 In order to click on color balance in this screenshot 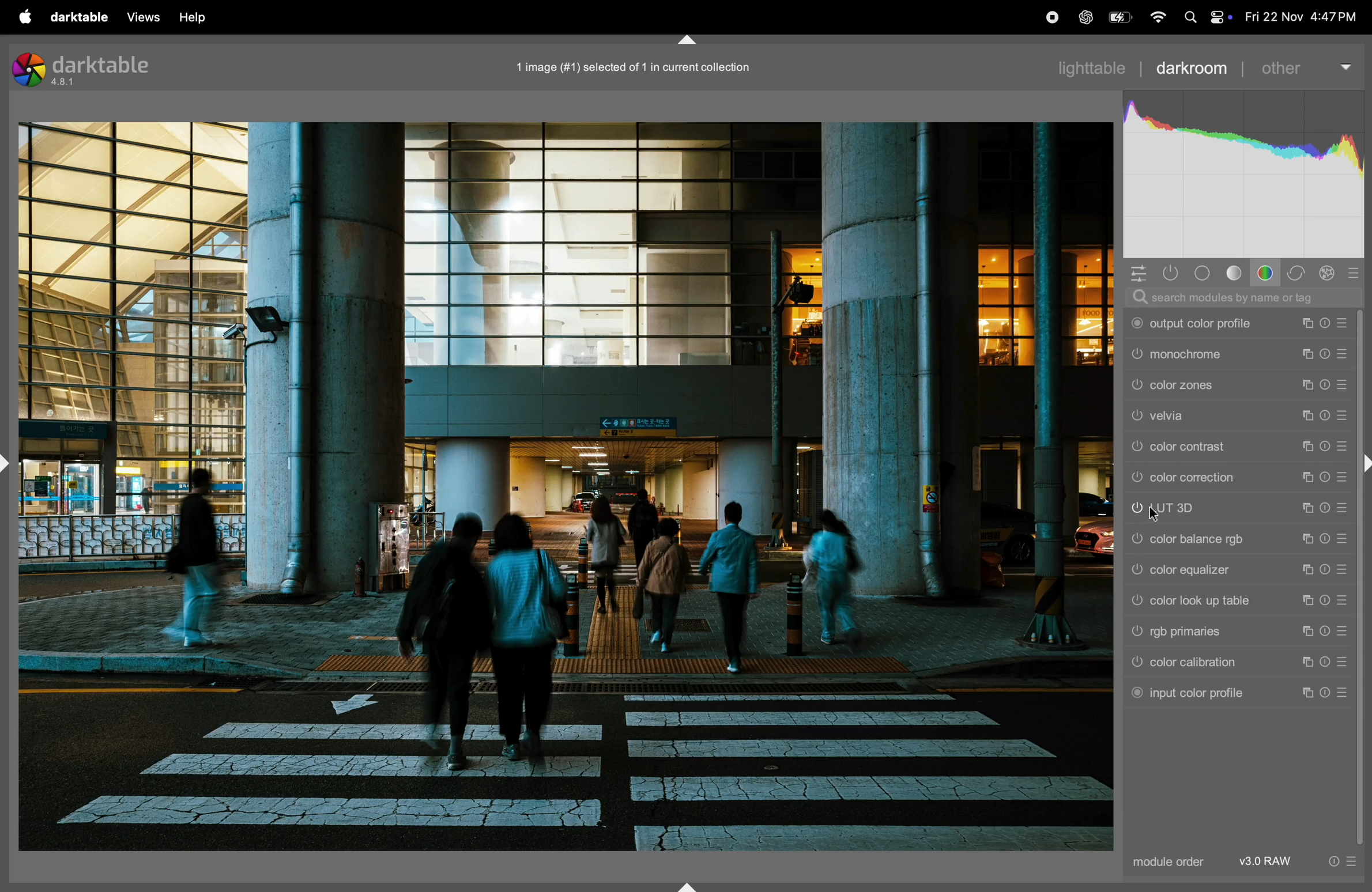, I will do `click(1216, 538)`.